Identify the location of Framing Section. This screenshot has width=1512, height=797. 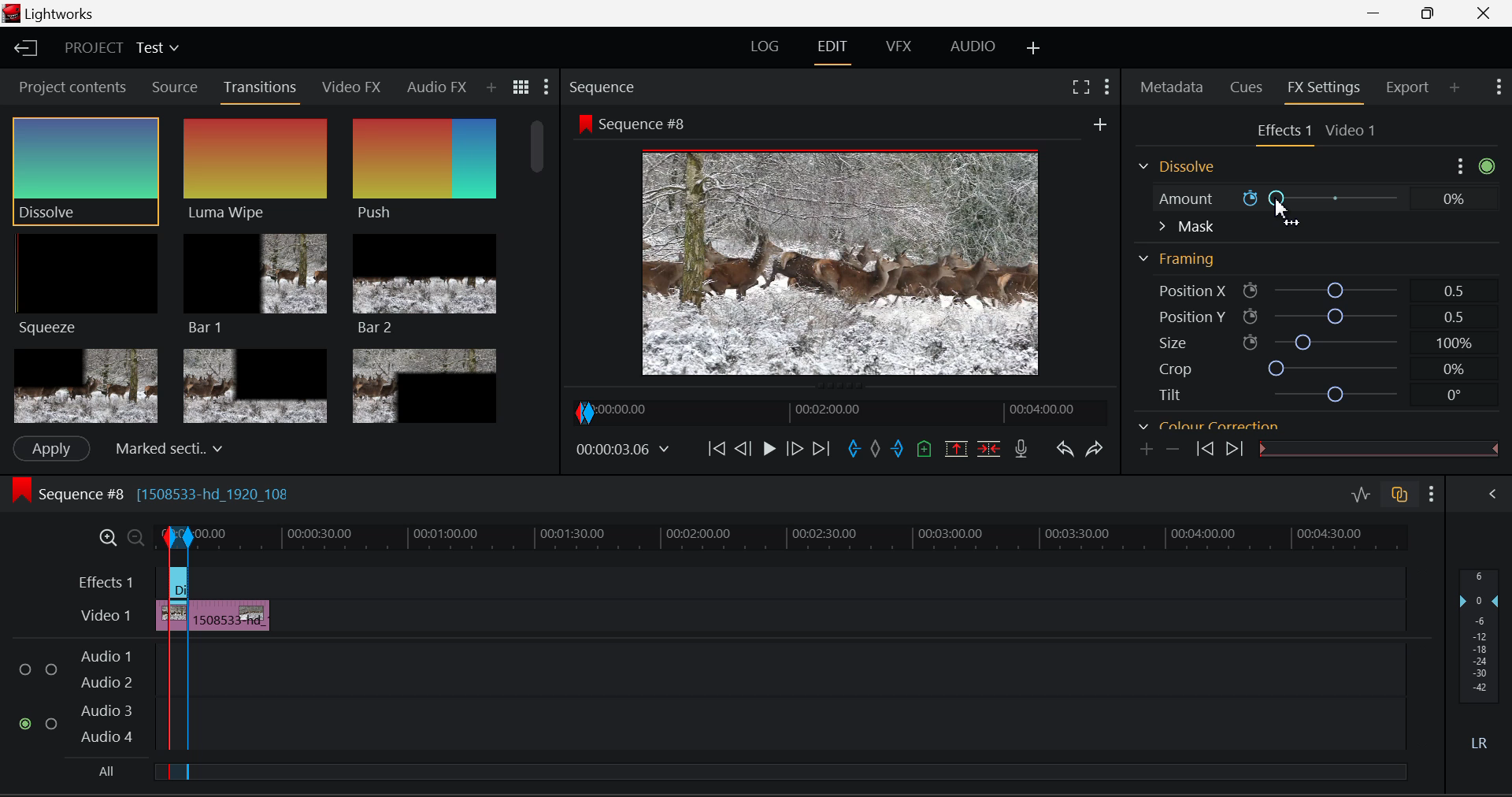
(1178, 260).